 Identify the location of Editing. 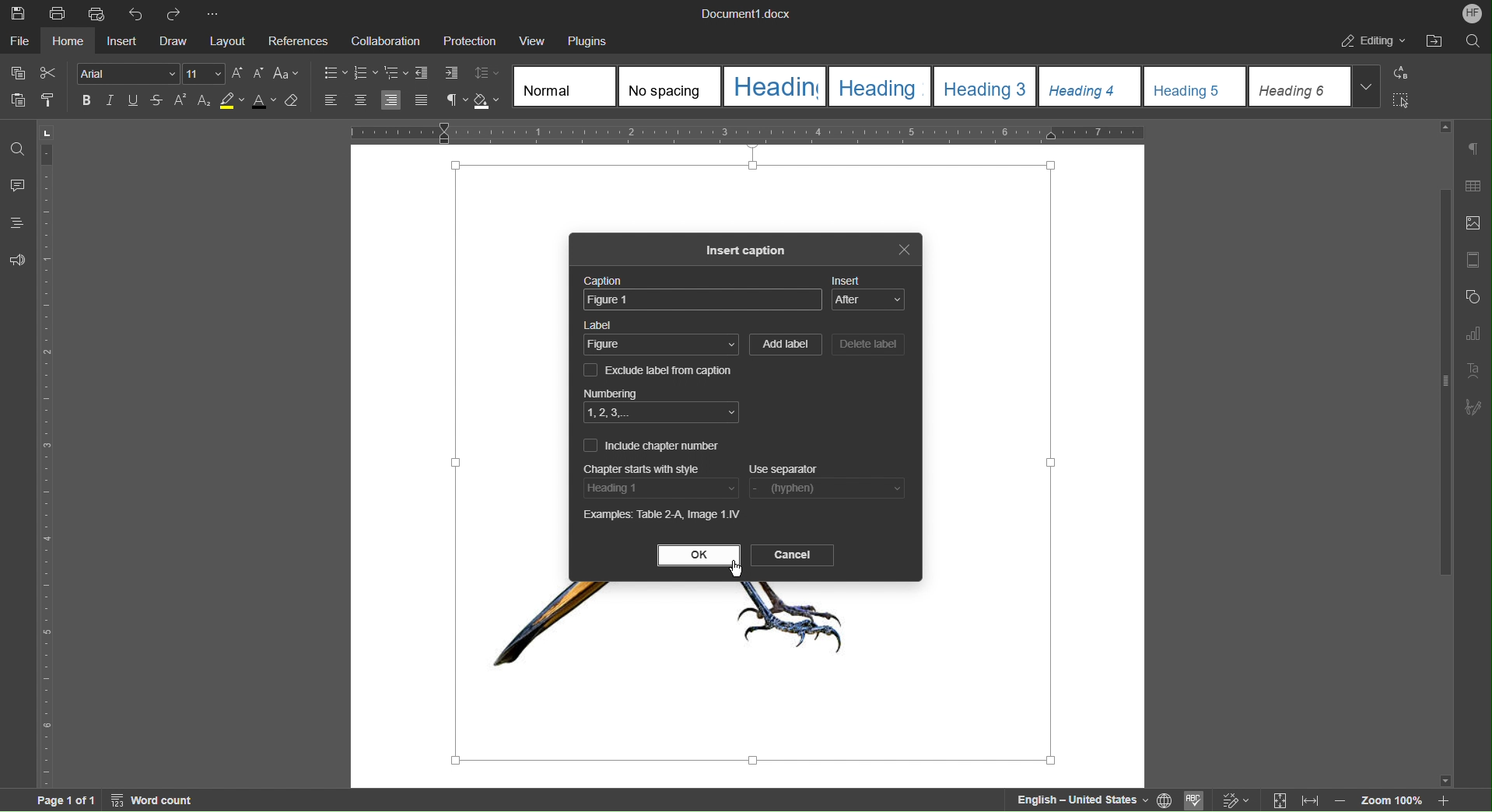
(1372, 40).